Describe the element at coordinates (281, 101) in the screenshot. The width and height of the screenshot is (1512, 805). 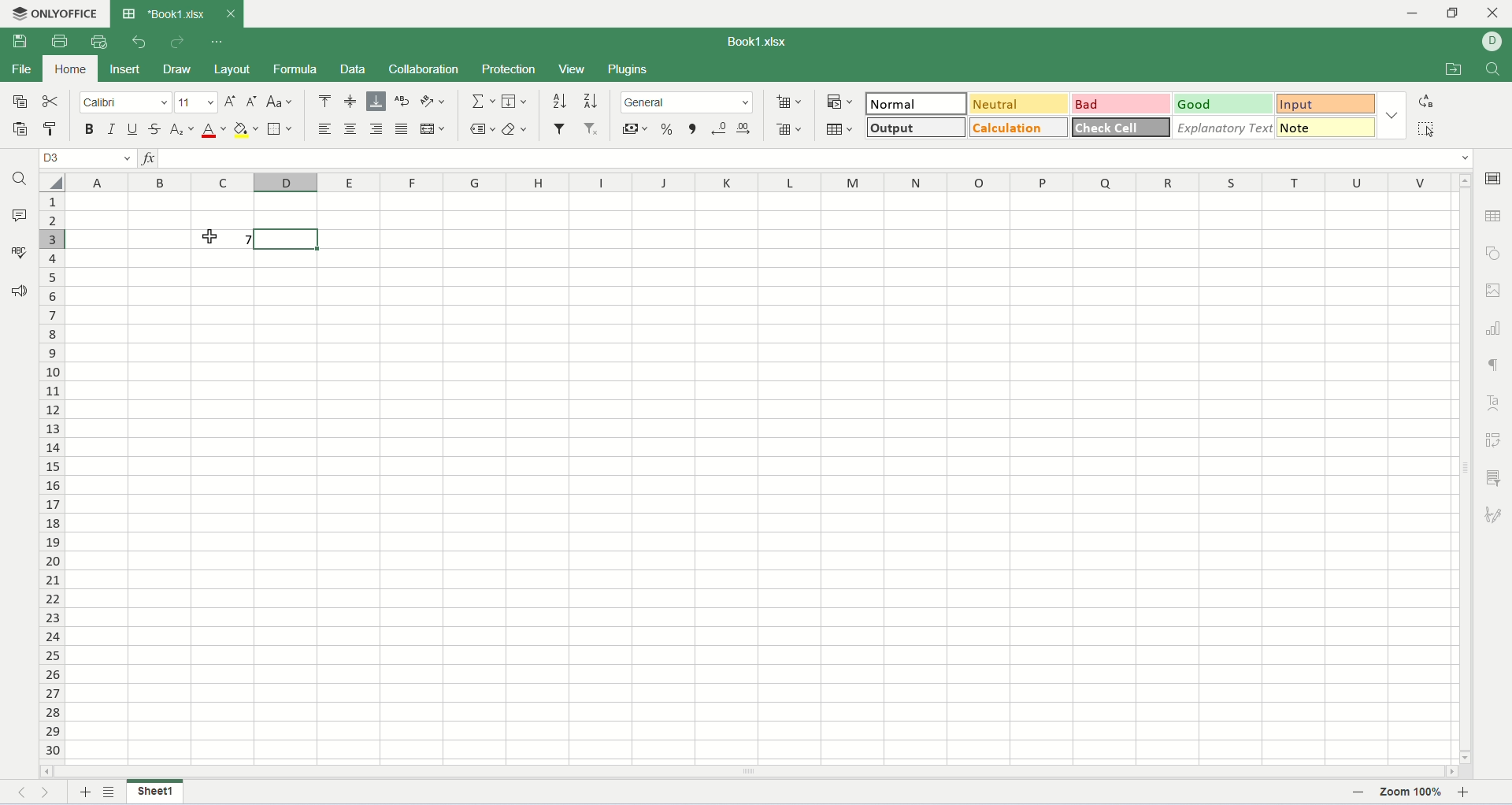
I see `change case` at that location.